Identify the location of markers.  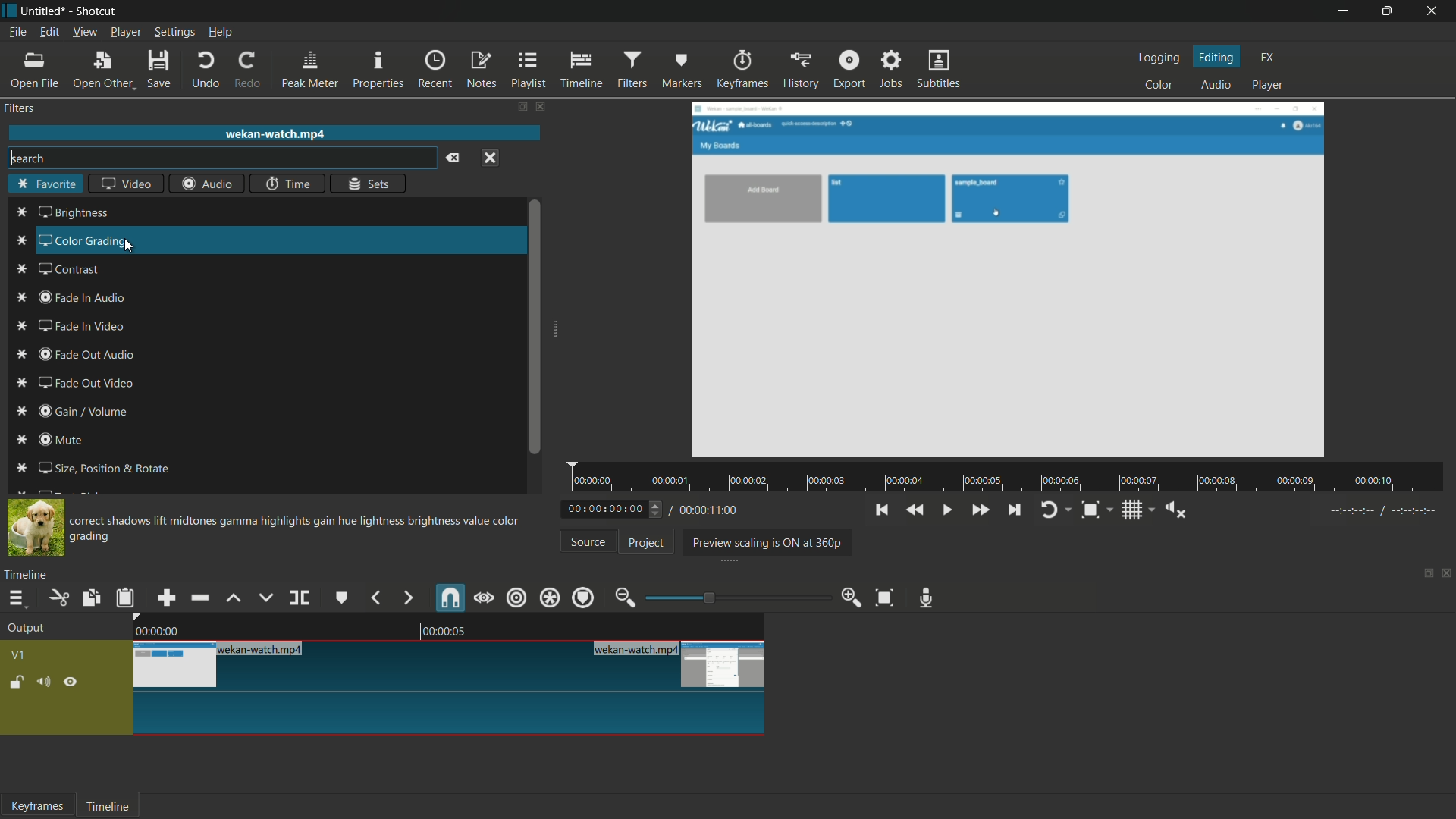
(682, 69).